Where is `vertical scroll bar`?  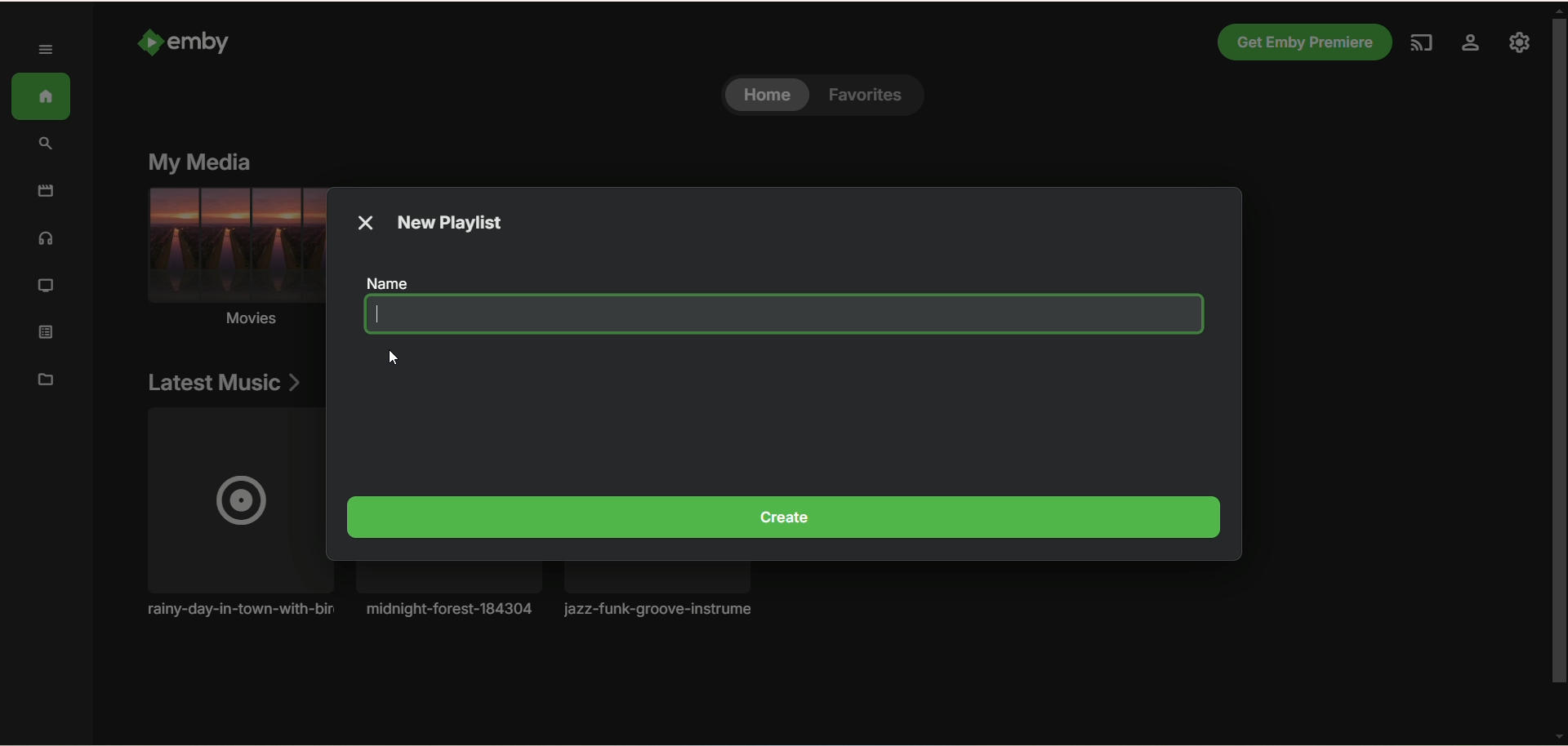
vertical scroll bar is located at coordinates (1558, 371).